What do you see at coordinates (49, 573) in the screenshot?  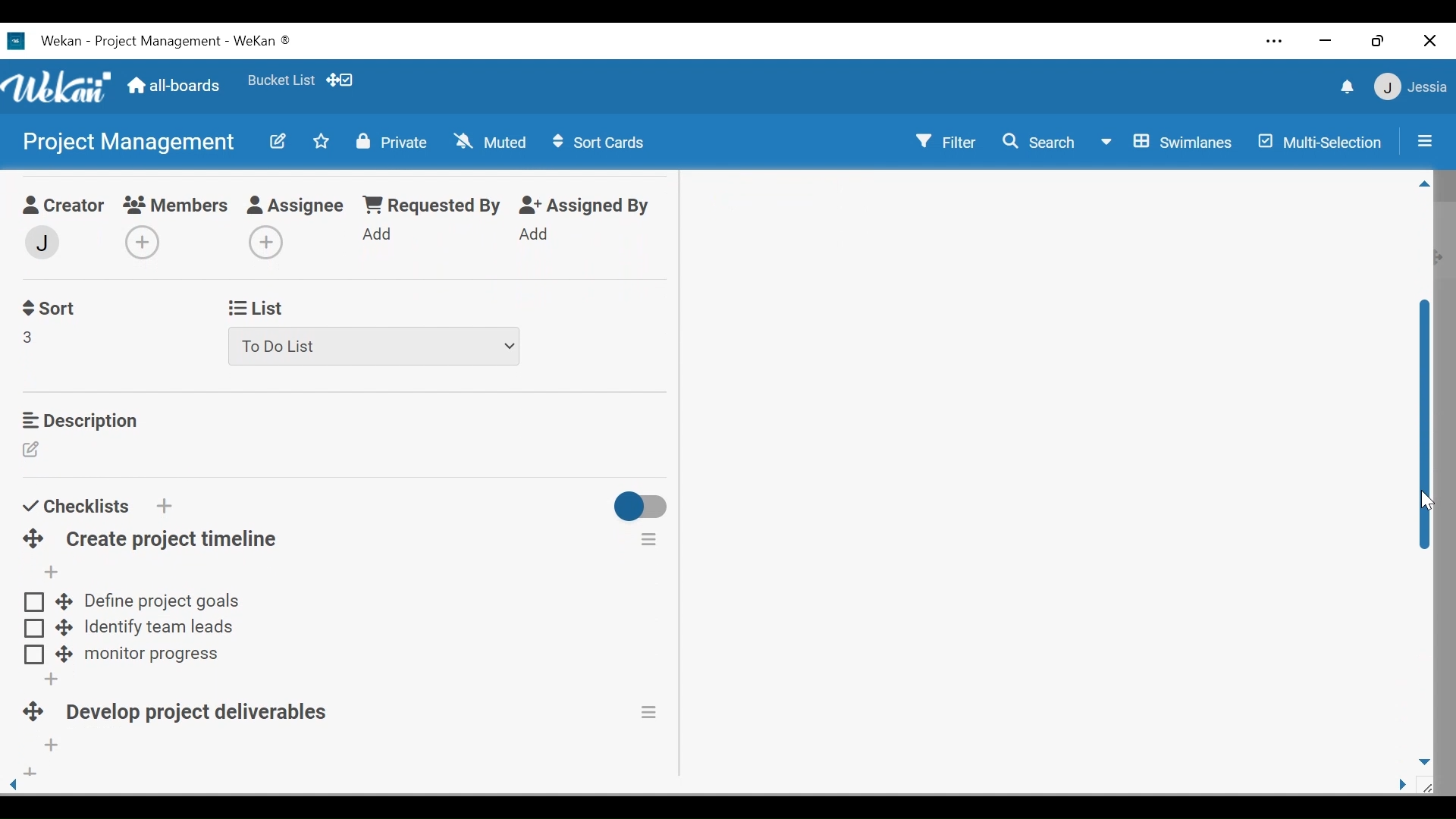 I see `Add an item to checklist` at bounding box center [49, 573].